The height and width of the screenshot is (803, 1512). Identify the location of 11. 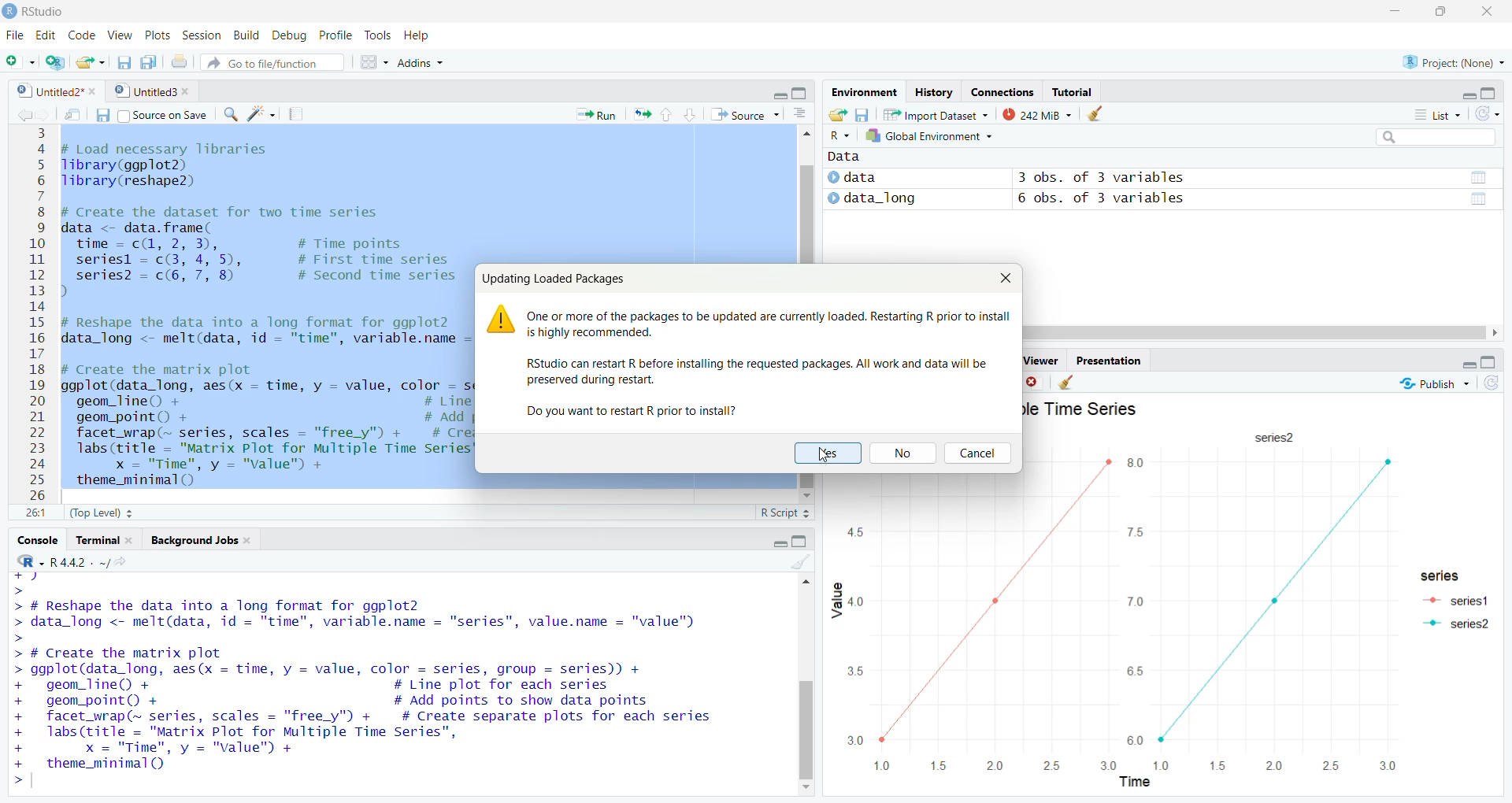
(36, 513).